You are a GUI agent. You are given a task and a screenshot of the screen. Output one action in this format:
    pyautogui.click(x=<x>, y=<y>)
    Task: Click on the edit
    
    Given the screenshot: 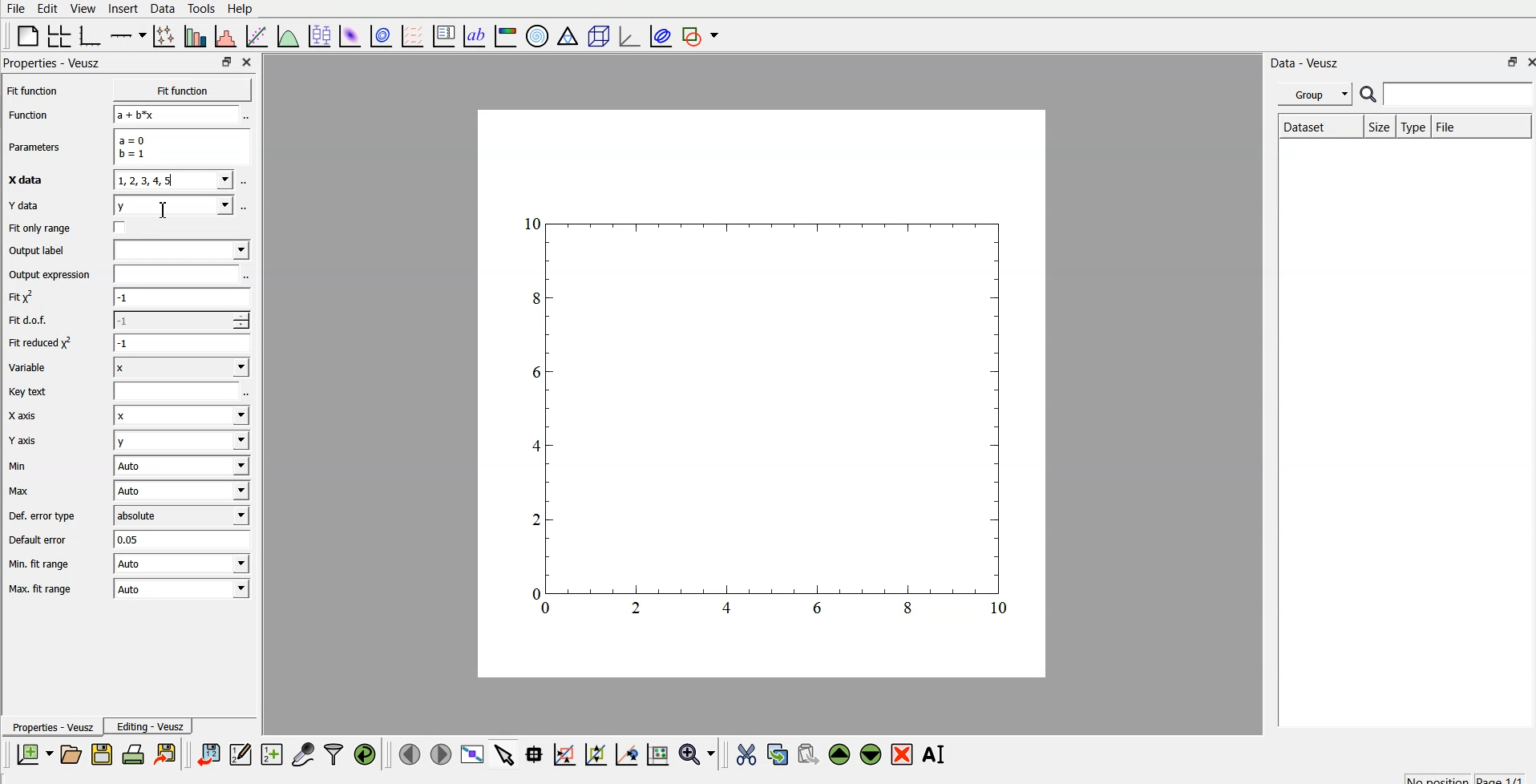 What is the action you would take?
    pyautogui.click(x=45, y=8)
    